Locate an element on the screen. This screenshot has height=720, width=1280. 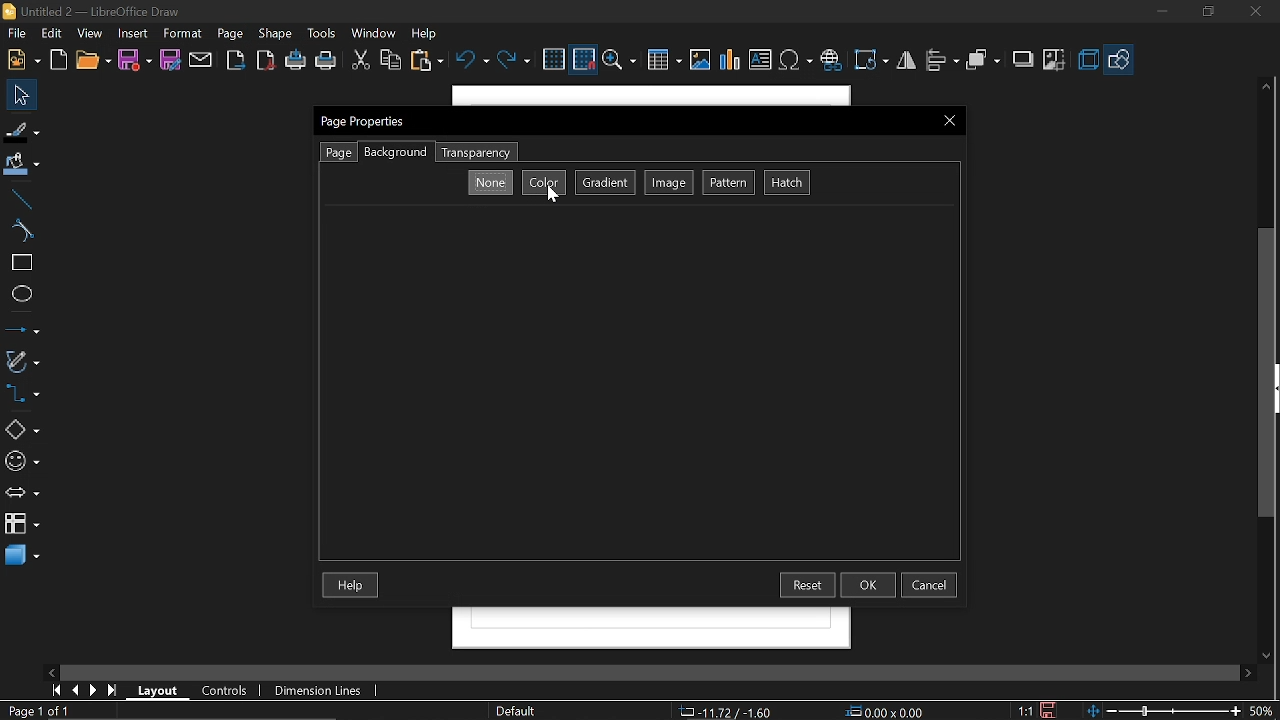
Color is located at coordinates (544, 183).